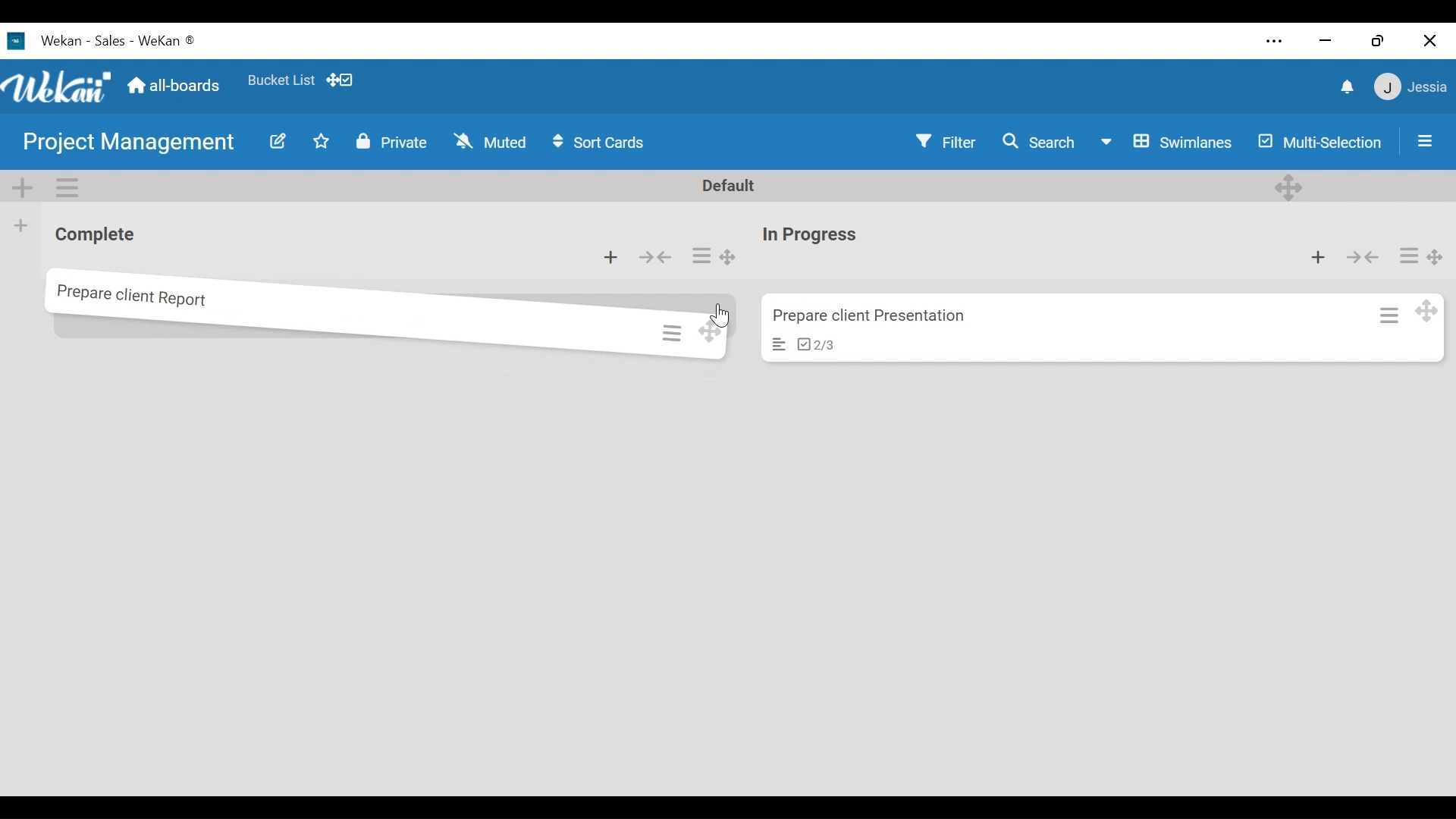  What do you see at coordinates (602, 143) in the screenshot?
I see `Sort cards` at bounding box center [602, 143].